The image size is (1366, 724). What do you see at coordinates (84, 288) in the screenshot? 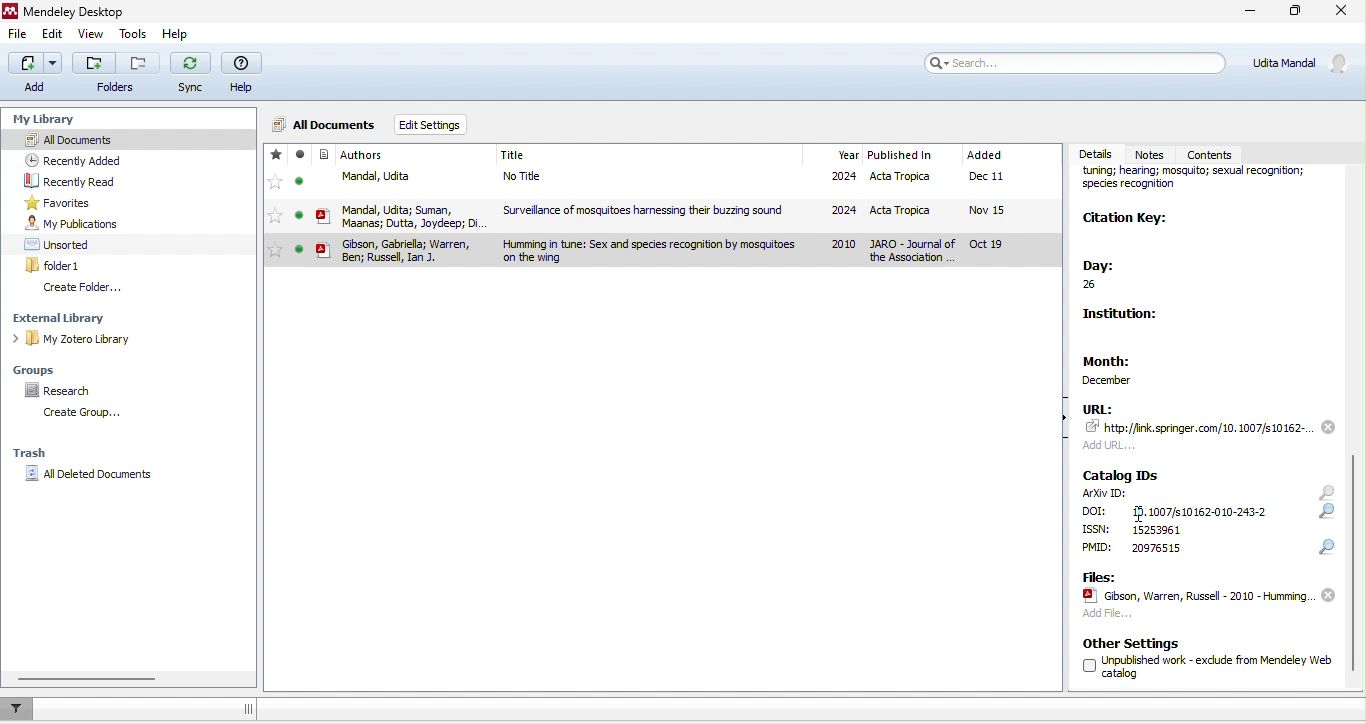
I see `create folder` at bounding box center [84, 288].